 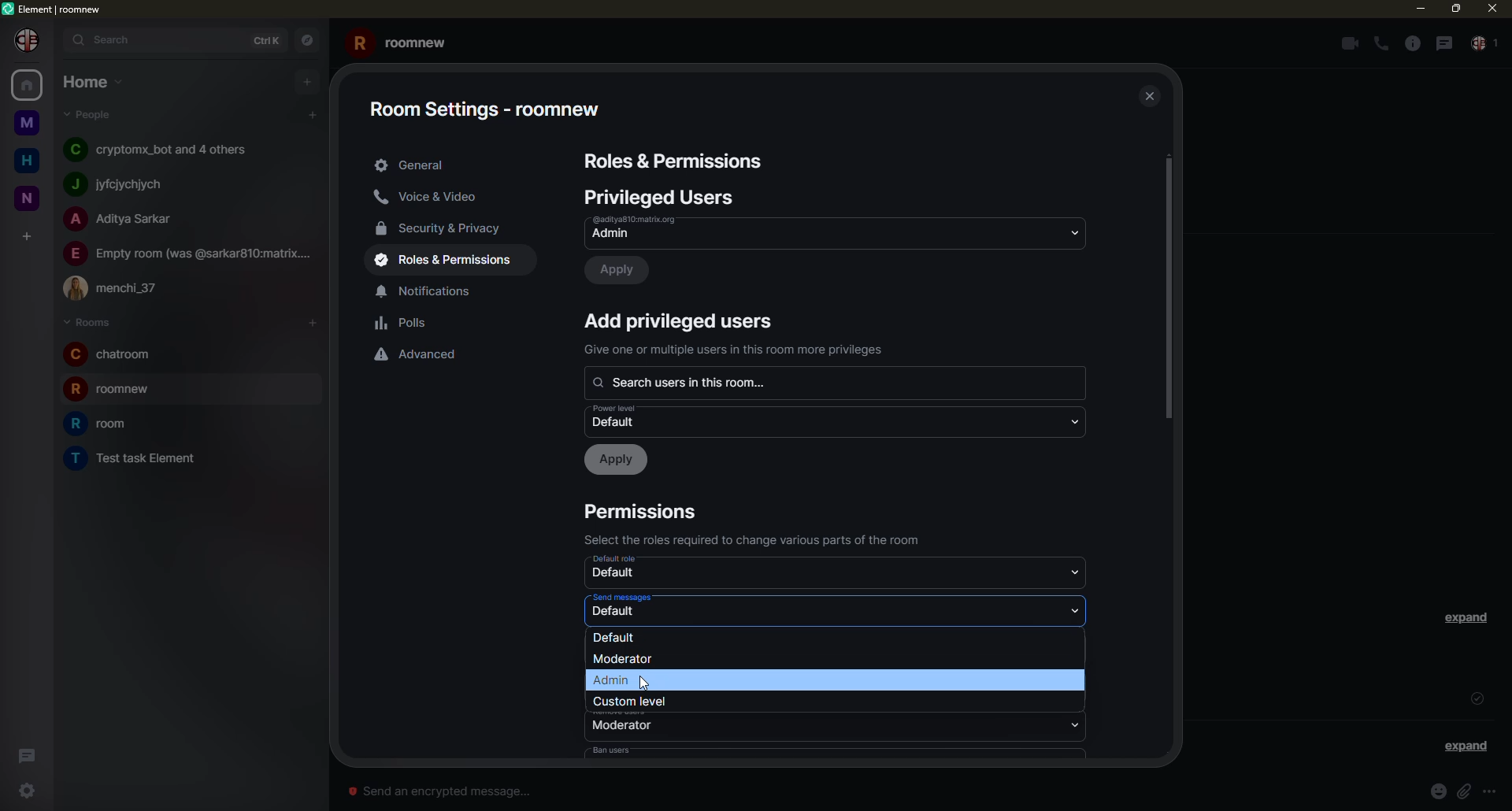 I want to click on cursor, so click(x=638, y=682).